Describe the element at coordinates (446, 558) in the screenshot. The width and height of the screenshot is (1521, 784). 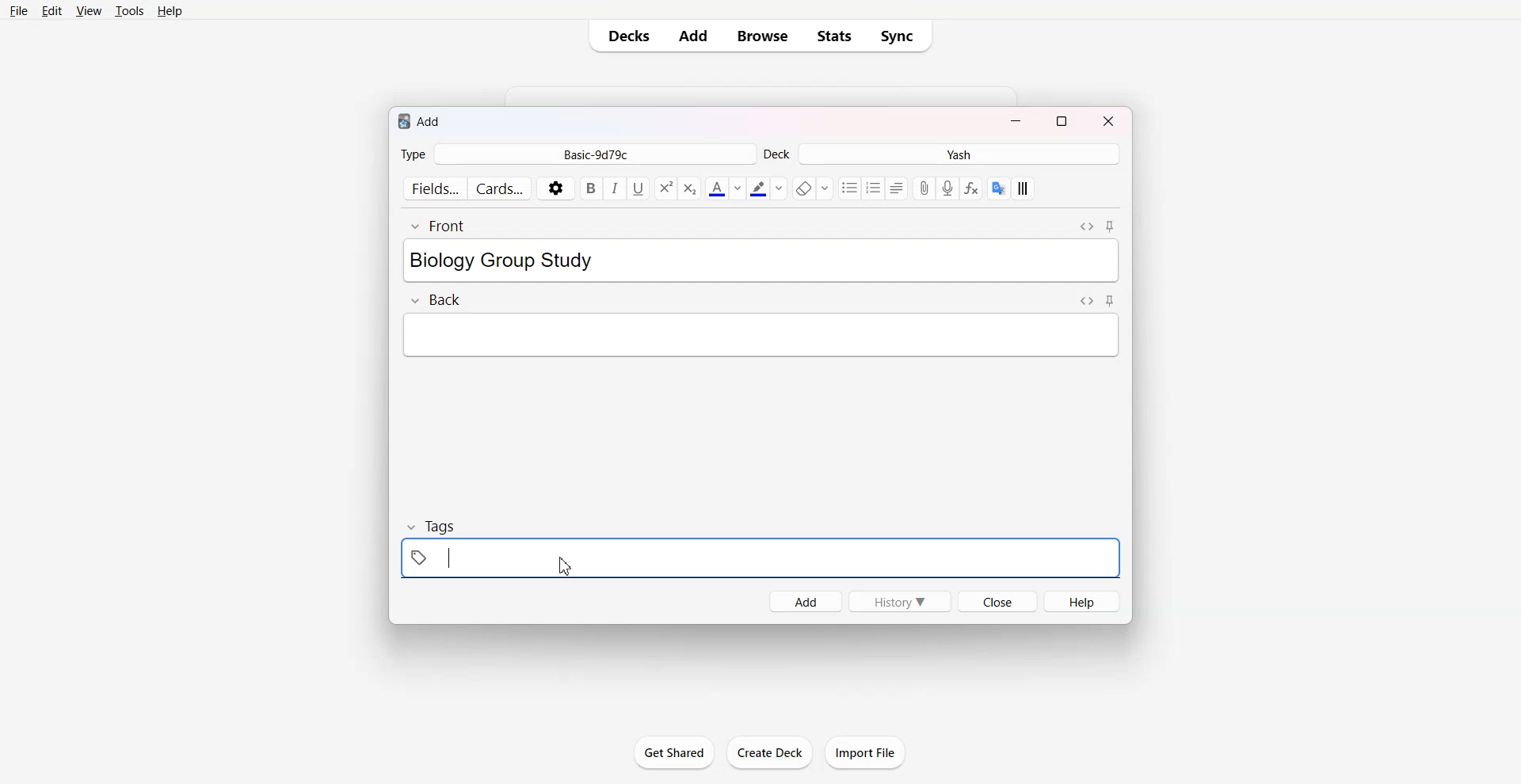
I see `text cursor` at that location.